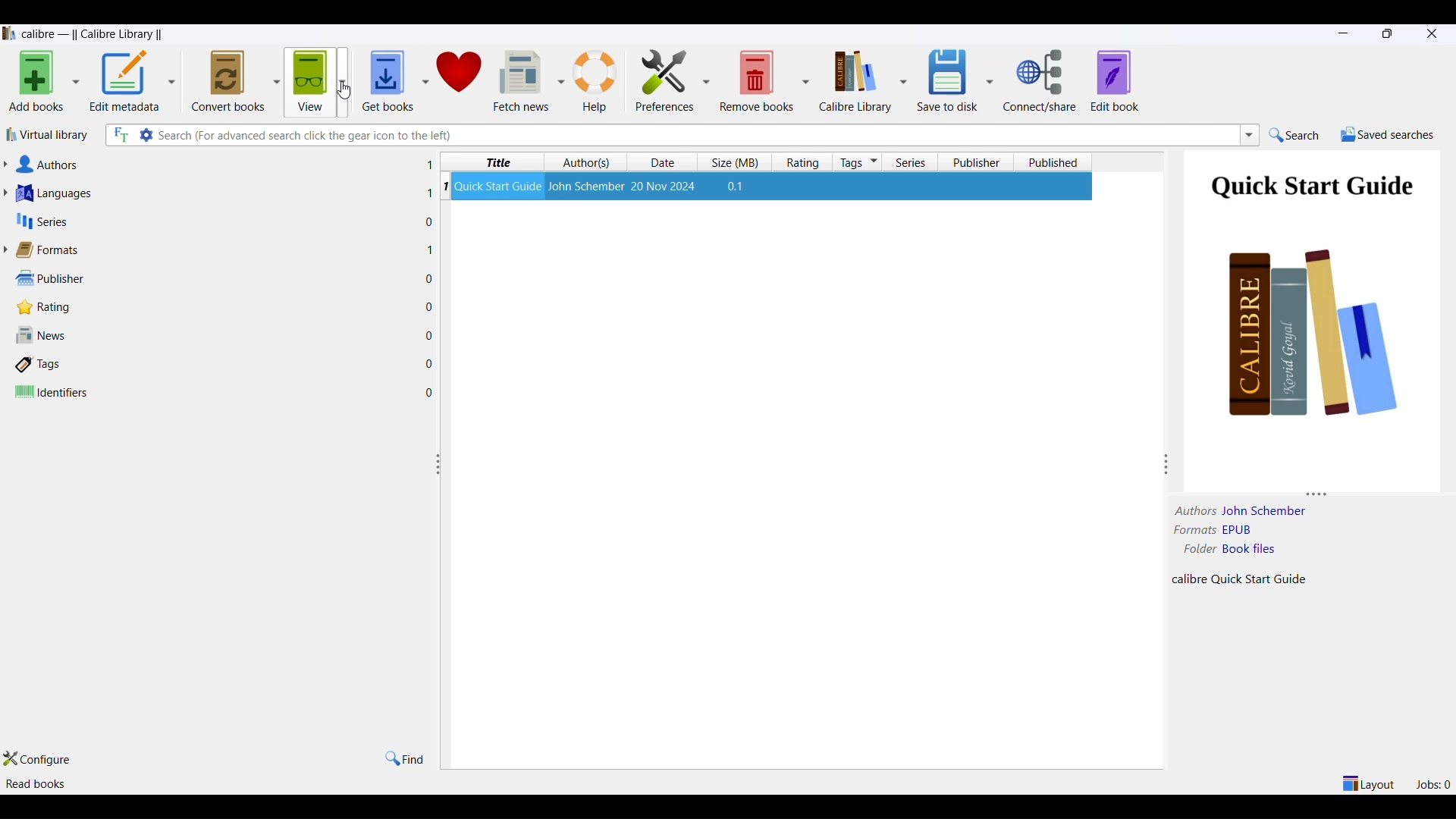 The image size is (1456, 819). I want to click on resize, so click(1320, 490).